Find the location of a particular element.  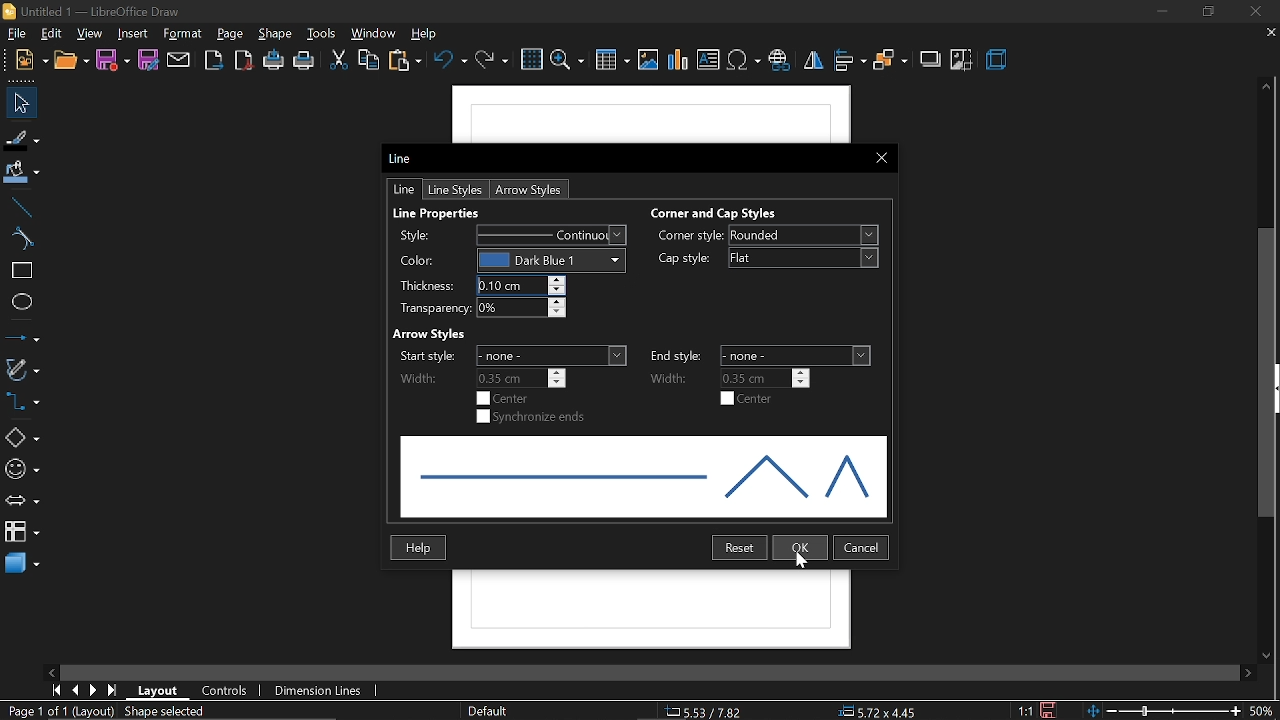

ok is located at coordinates (802, 548).